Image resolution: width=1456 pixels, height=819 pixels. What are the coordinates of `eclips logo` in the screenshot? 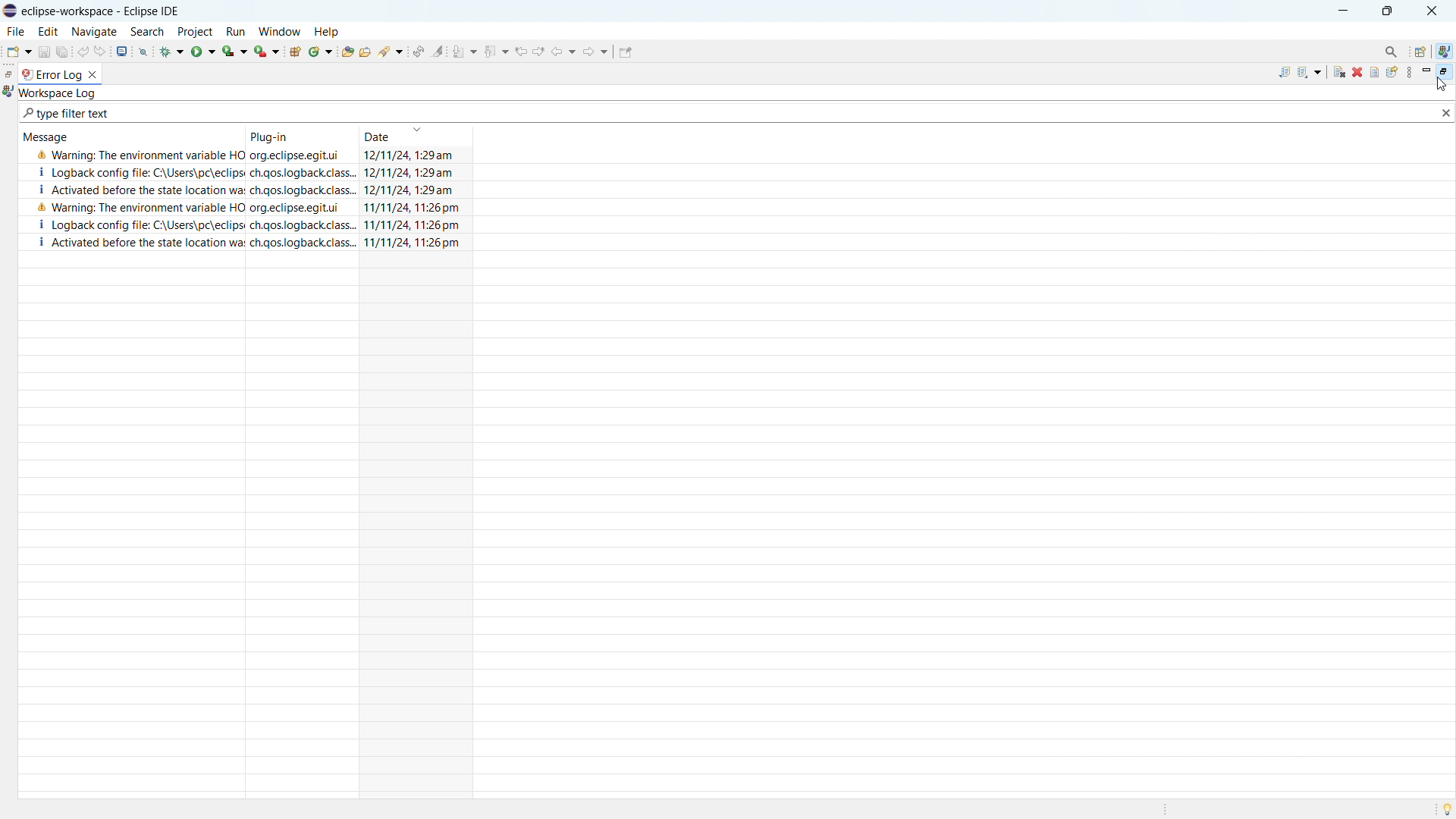 It's located at (10, 11).